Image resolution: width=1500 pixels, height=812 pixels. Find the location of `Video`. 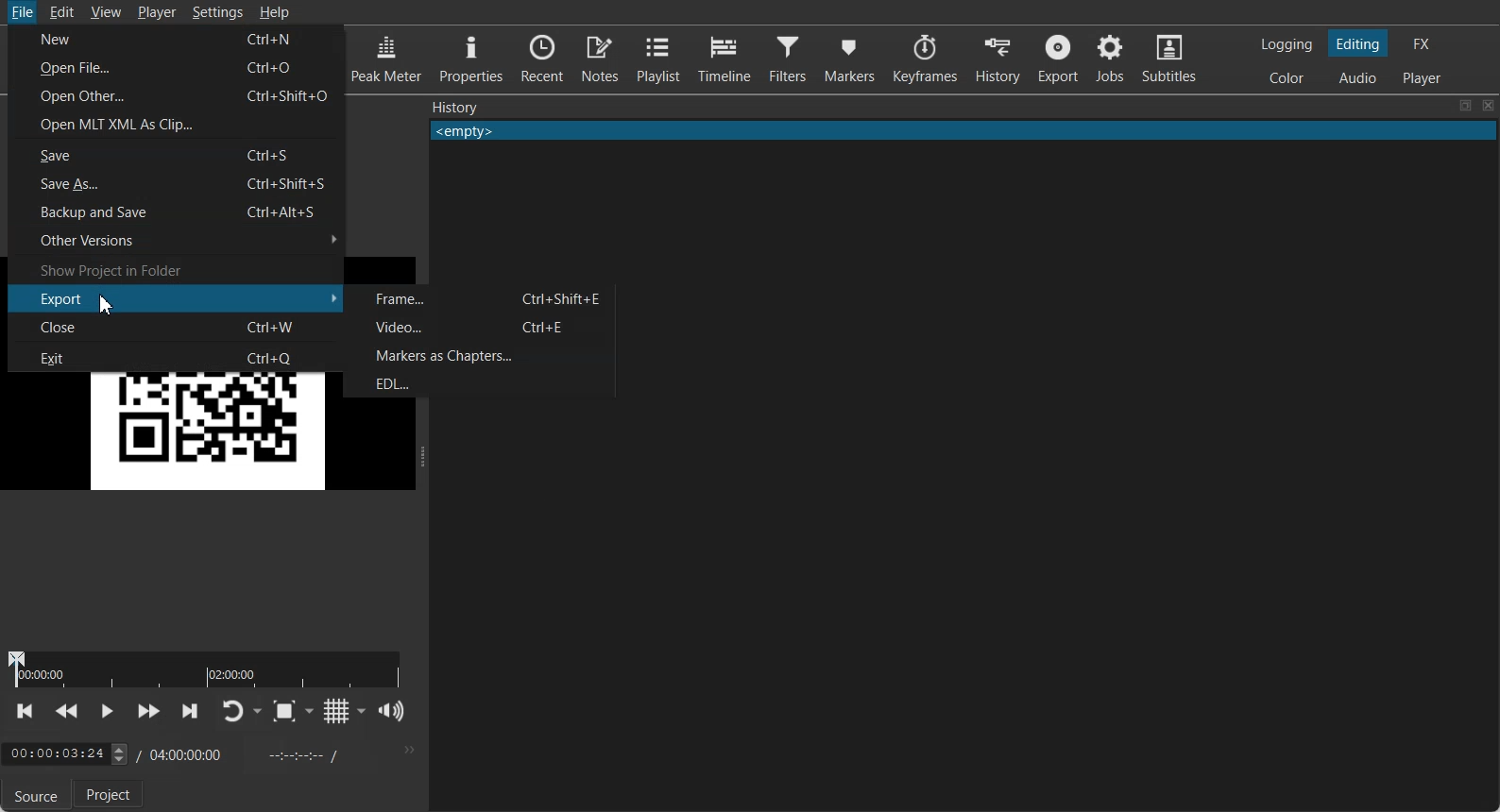

Video is located at coordinates (419, 328).